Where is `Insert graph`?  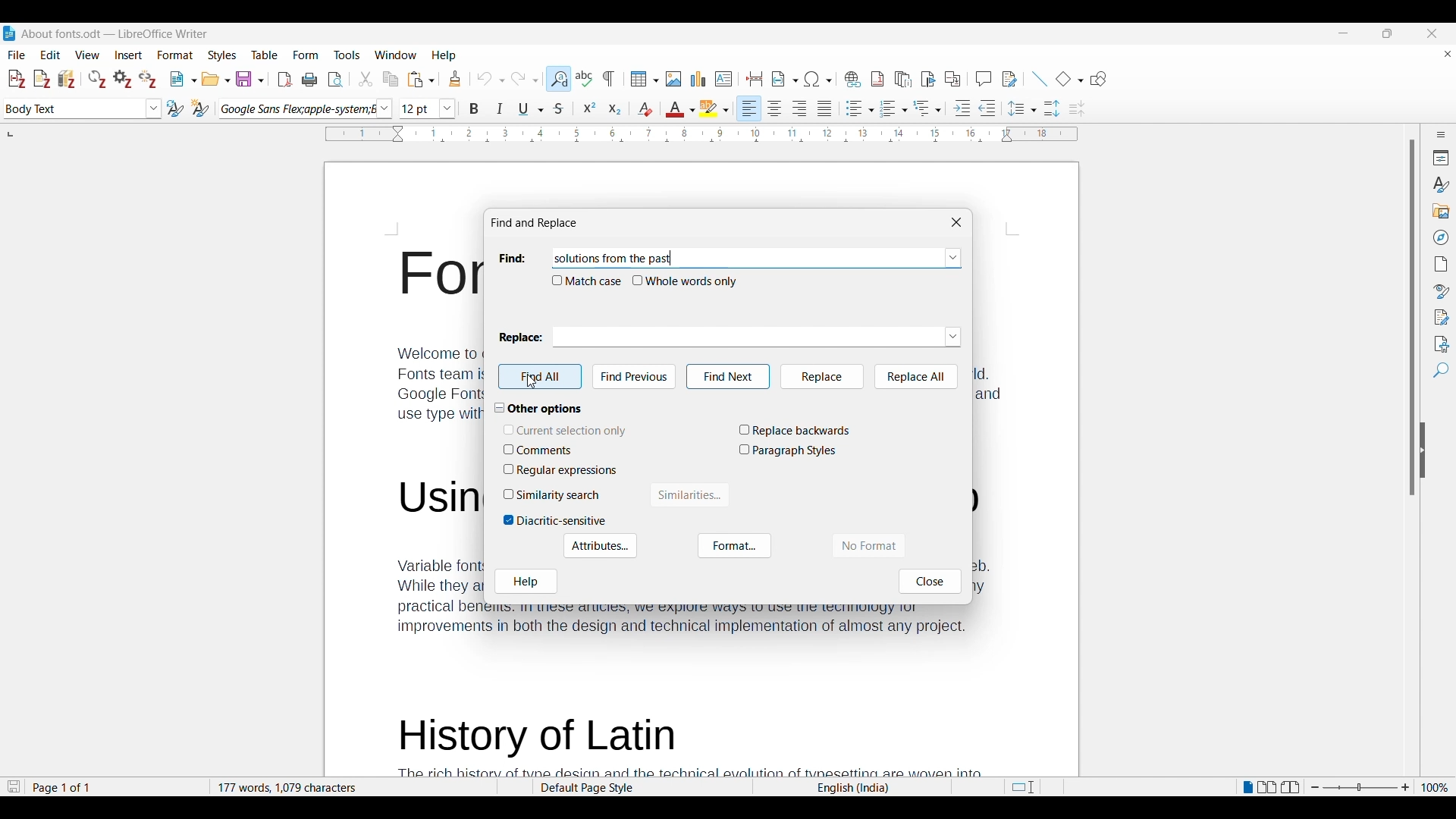
Insert graph is located at coordinates (698, 79).